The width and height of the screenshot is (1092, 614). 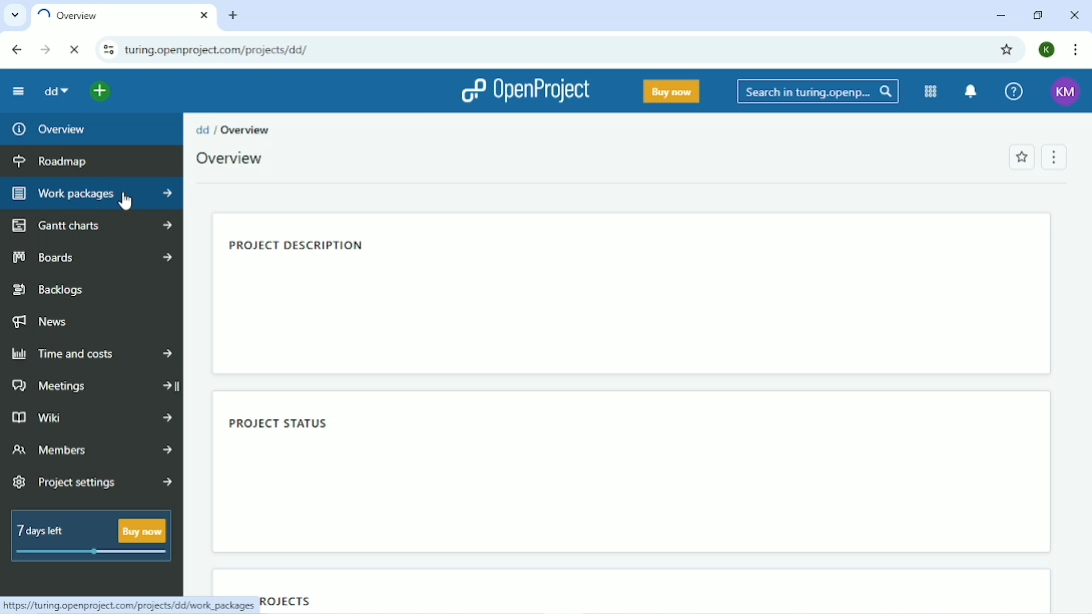 What do you see at coordinates (86, 93) in the screenshot?
I see `Select a project` at bounding box center [86, 93].